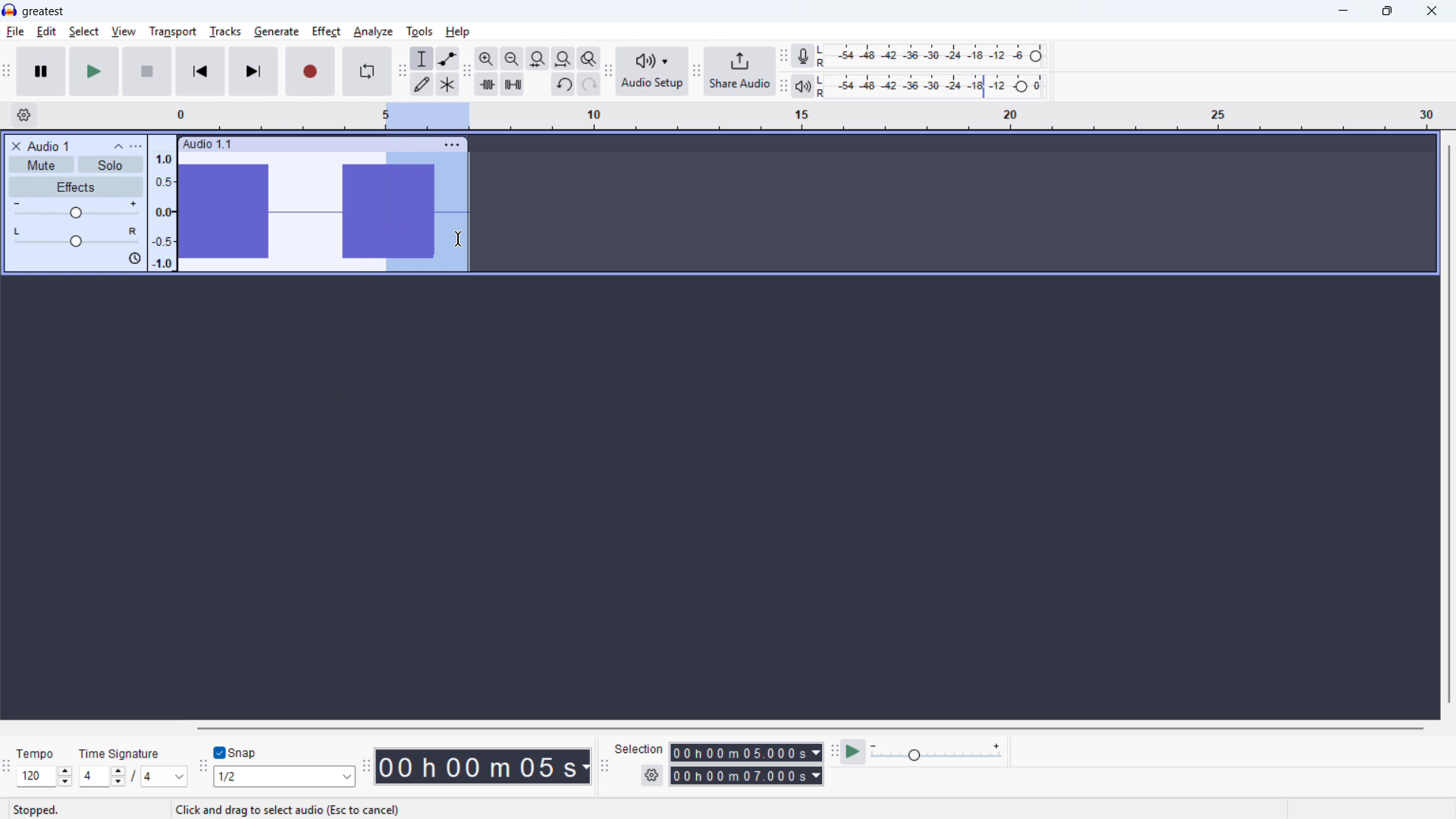 Image resolution: width=1456 pixels, height=819 pixels. What do you see at coordinates (563, 59) in the screenshot?
I see `Fit project to width` at bounding box center [563, 59].